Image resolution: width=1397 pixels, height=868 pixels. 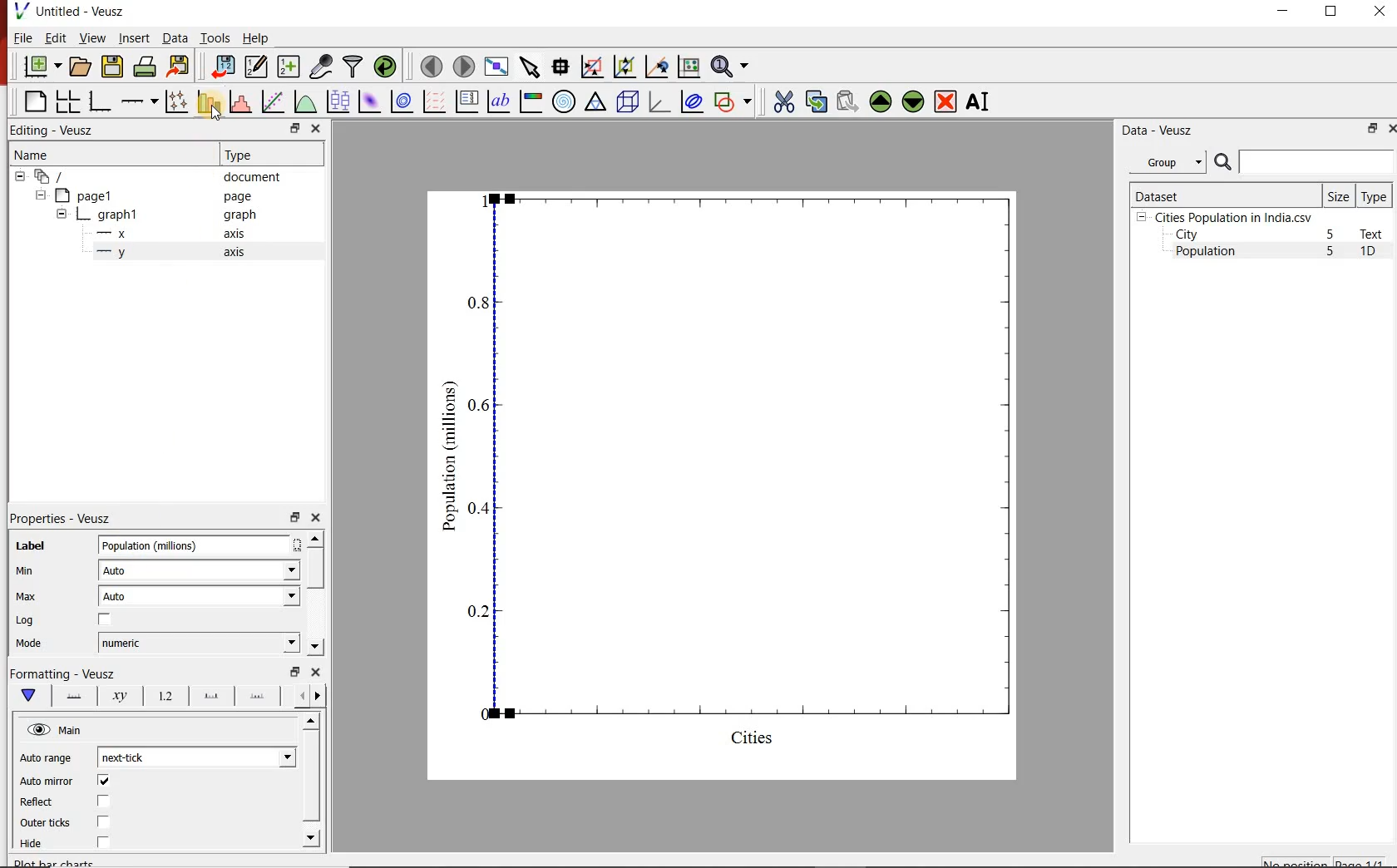 What do you see at coordinates (655, 67) in the screenshot?
I see `click to recenter graph axes` at bounding box center [655, 67].